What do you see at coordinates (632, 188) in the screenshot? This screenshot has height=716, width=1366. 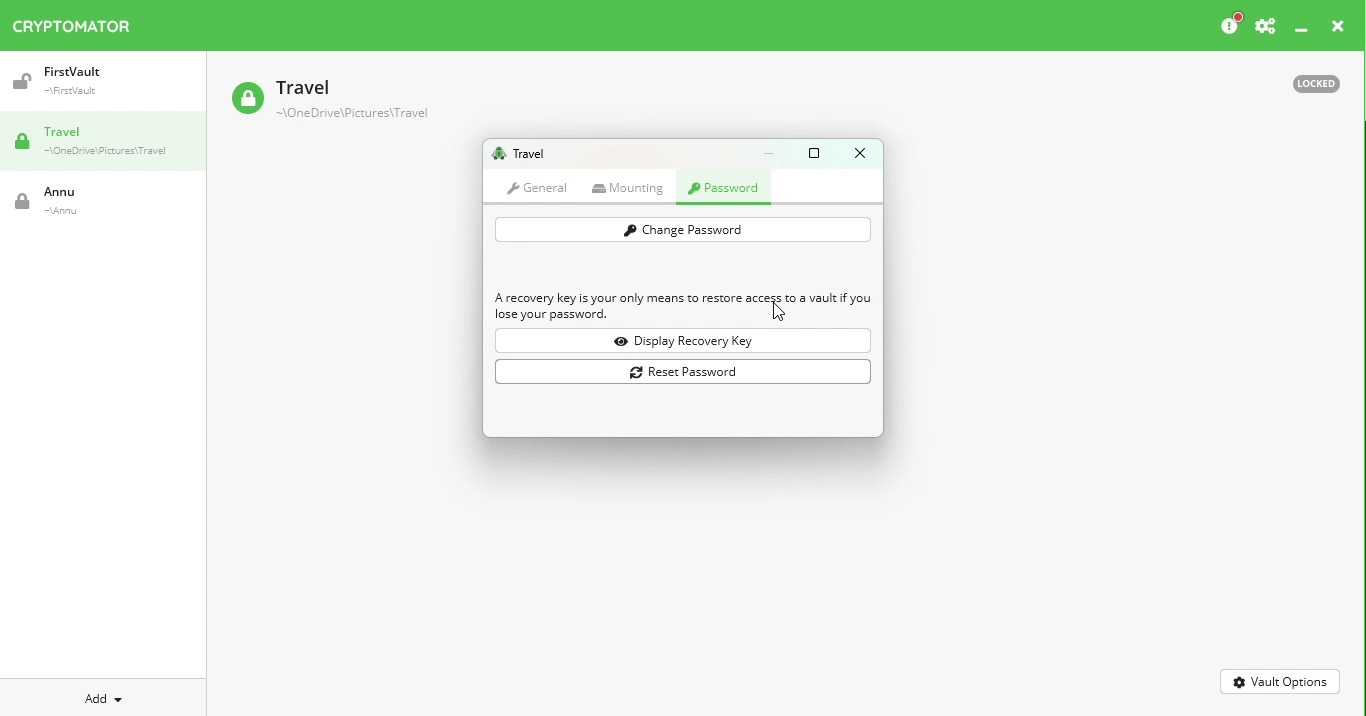 I see `Mounting` at bounding box center [632, 188].